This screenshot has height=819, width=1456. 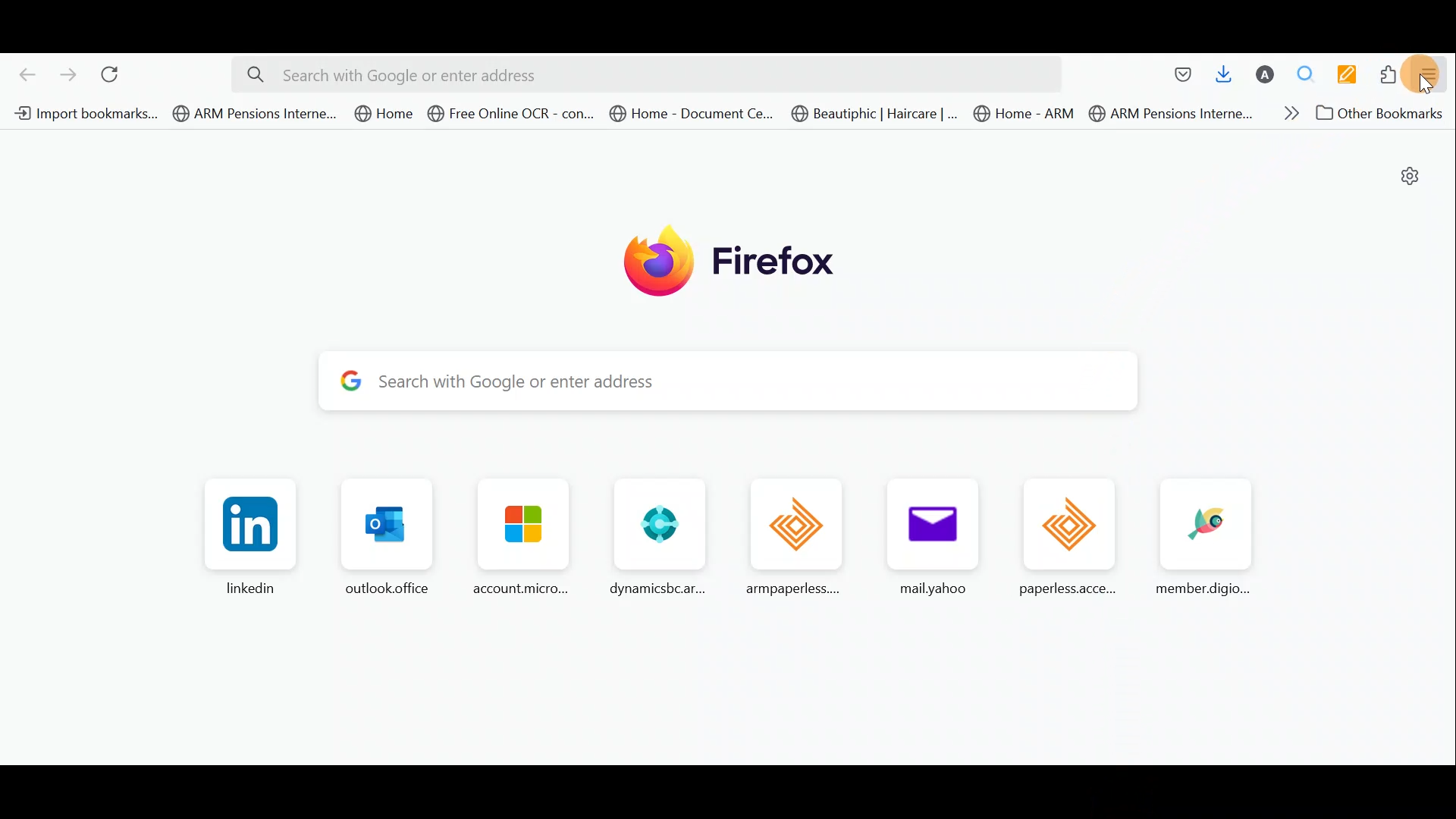 I want to click on Free Online OCR - con.., so click(x=511, y=114).